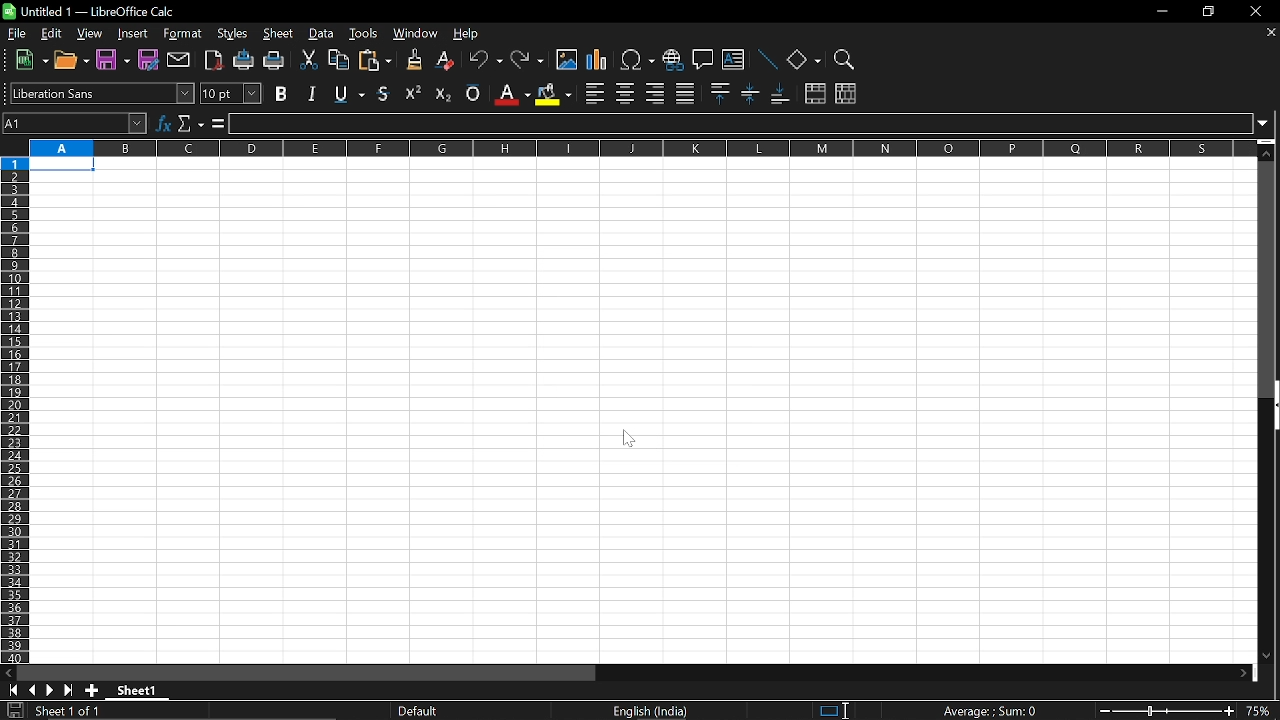  What do you see at coordinates (73, 63) in the screenshot?
I see `open` at bounding box center [73, 63].